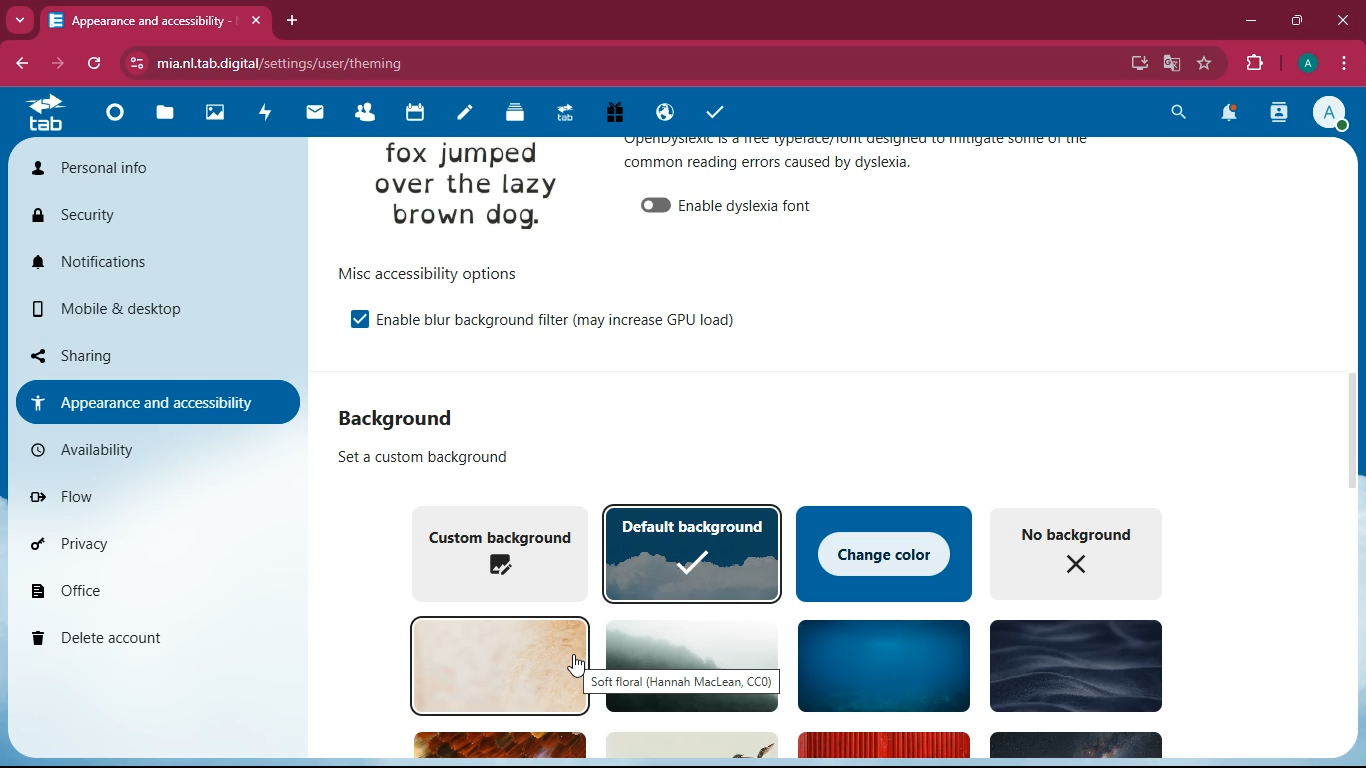 The width and height of the screenshot is (1366, 768). I want to click on notes, so click(464, 116).